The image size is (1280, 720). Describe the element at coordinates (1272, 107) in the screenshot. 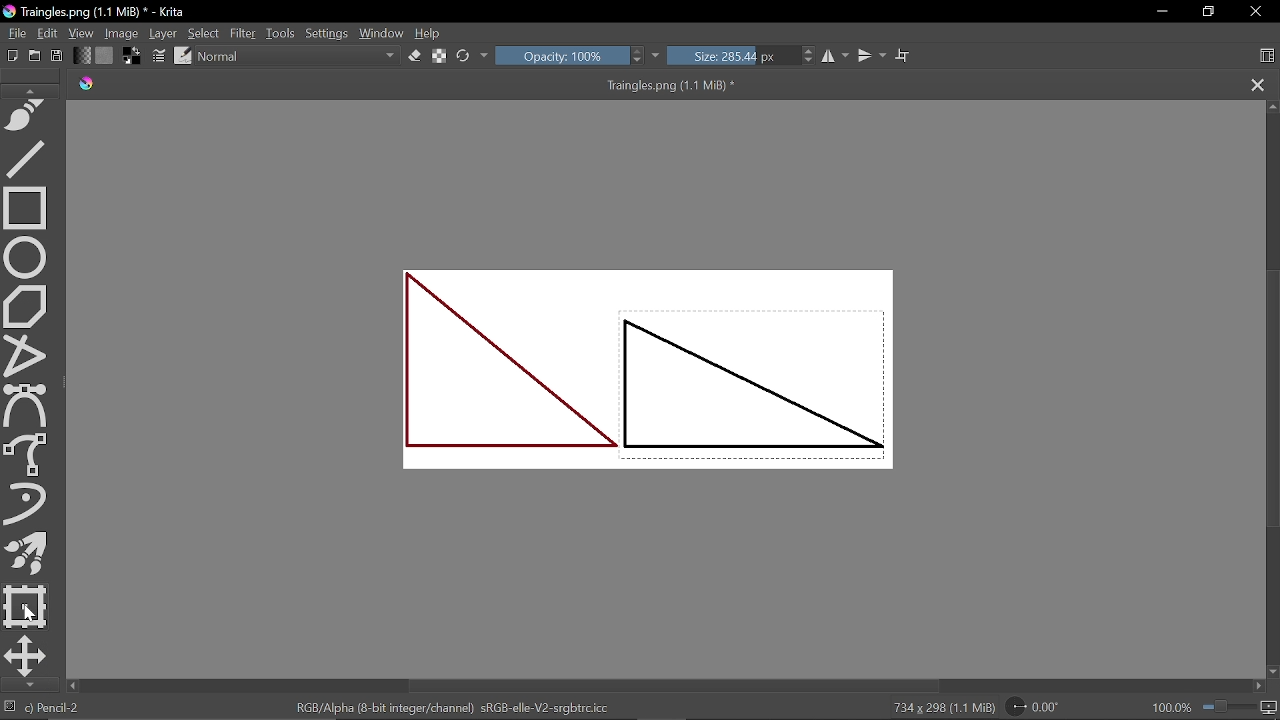

I see `Move up` at that location.